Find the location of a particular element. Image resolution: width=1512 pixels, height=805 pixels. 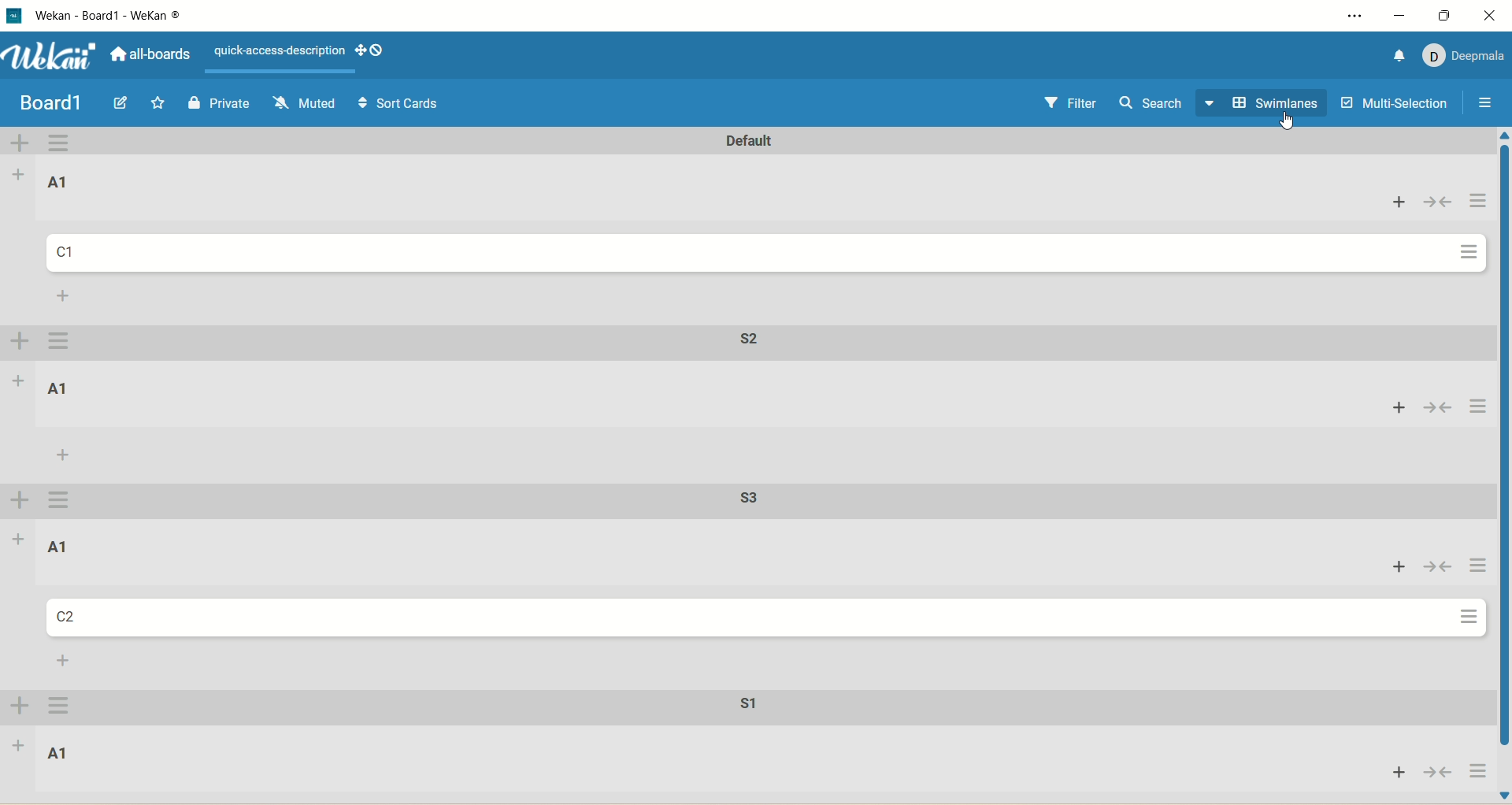

add is located at coordinates (63, 454).